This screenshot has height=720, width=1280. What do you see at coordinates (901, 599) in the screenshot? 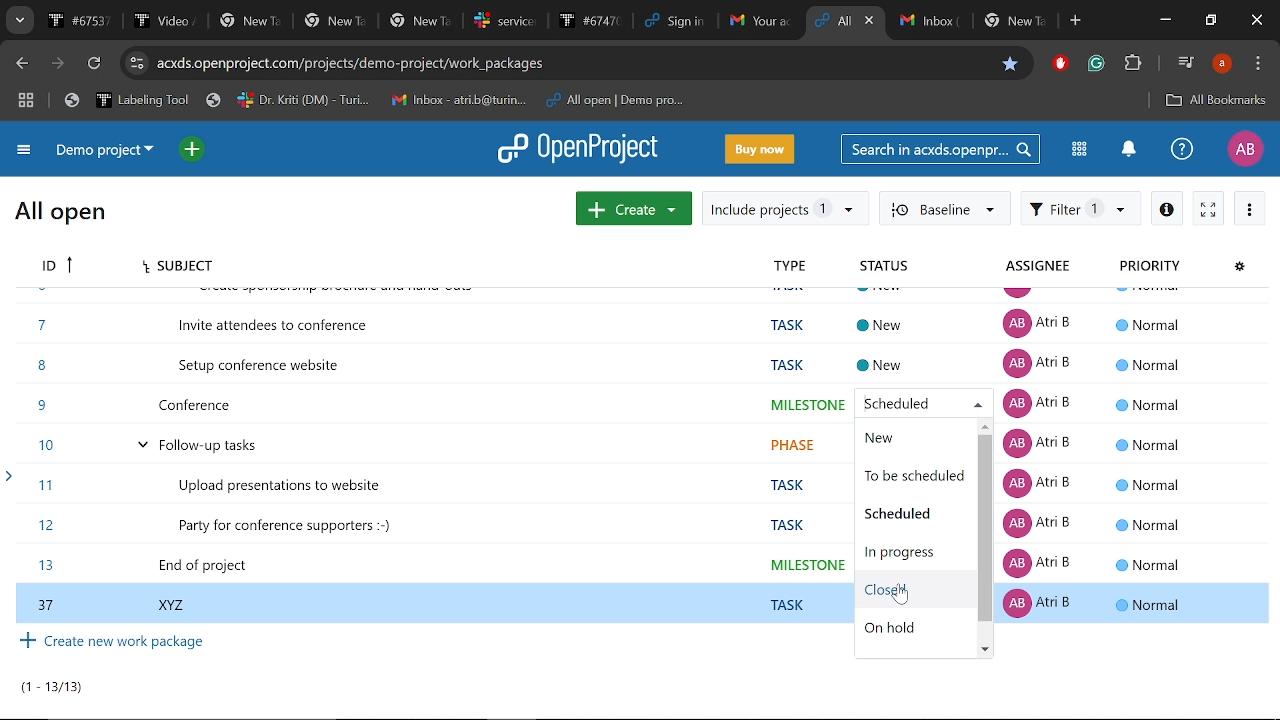
I see `cursor` at bounding box center [901, 599].